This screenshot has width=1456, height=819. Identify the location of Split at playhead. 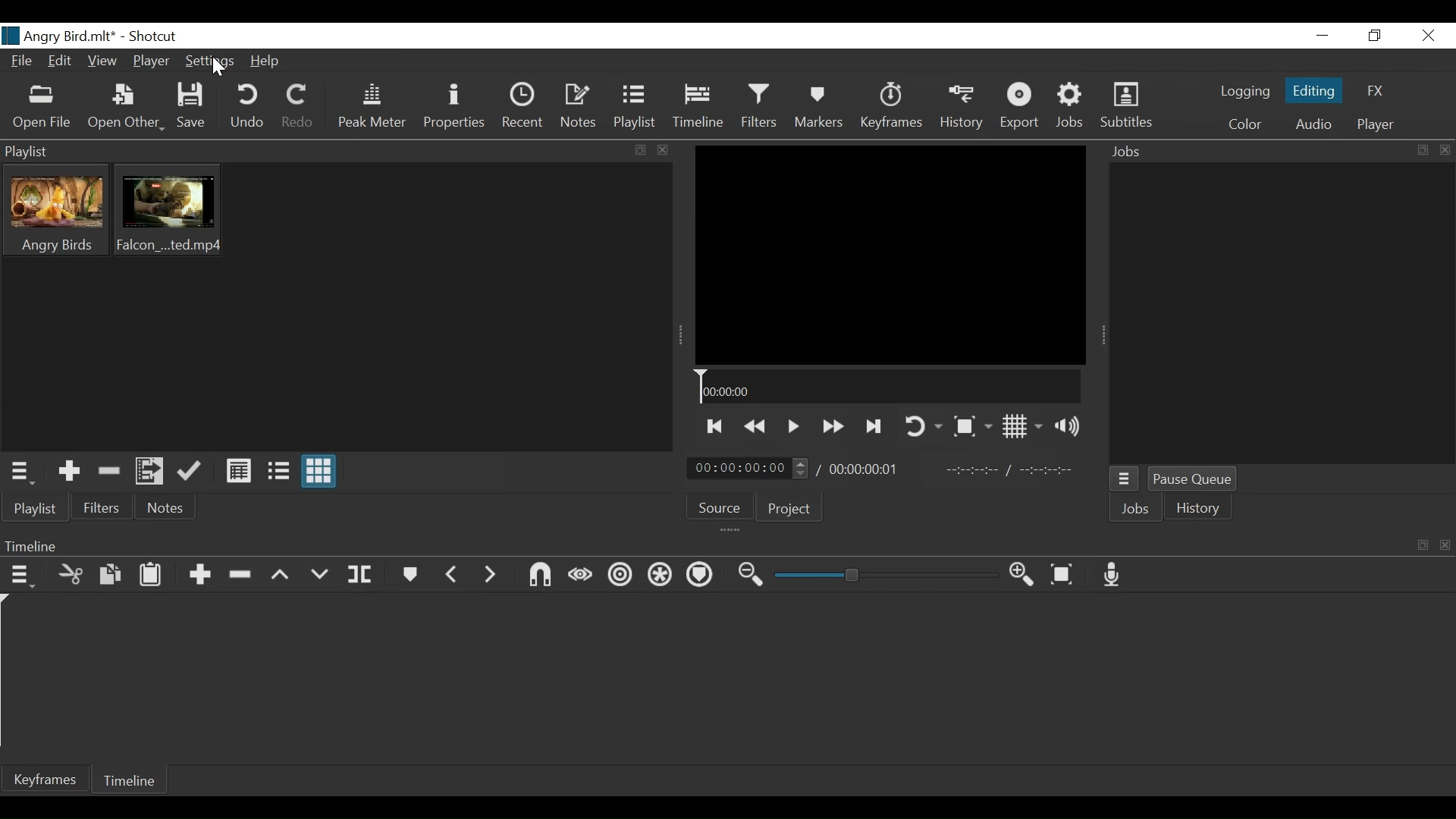
(363, 576).